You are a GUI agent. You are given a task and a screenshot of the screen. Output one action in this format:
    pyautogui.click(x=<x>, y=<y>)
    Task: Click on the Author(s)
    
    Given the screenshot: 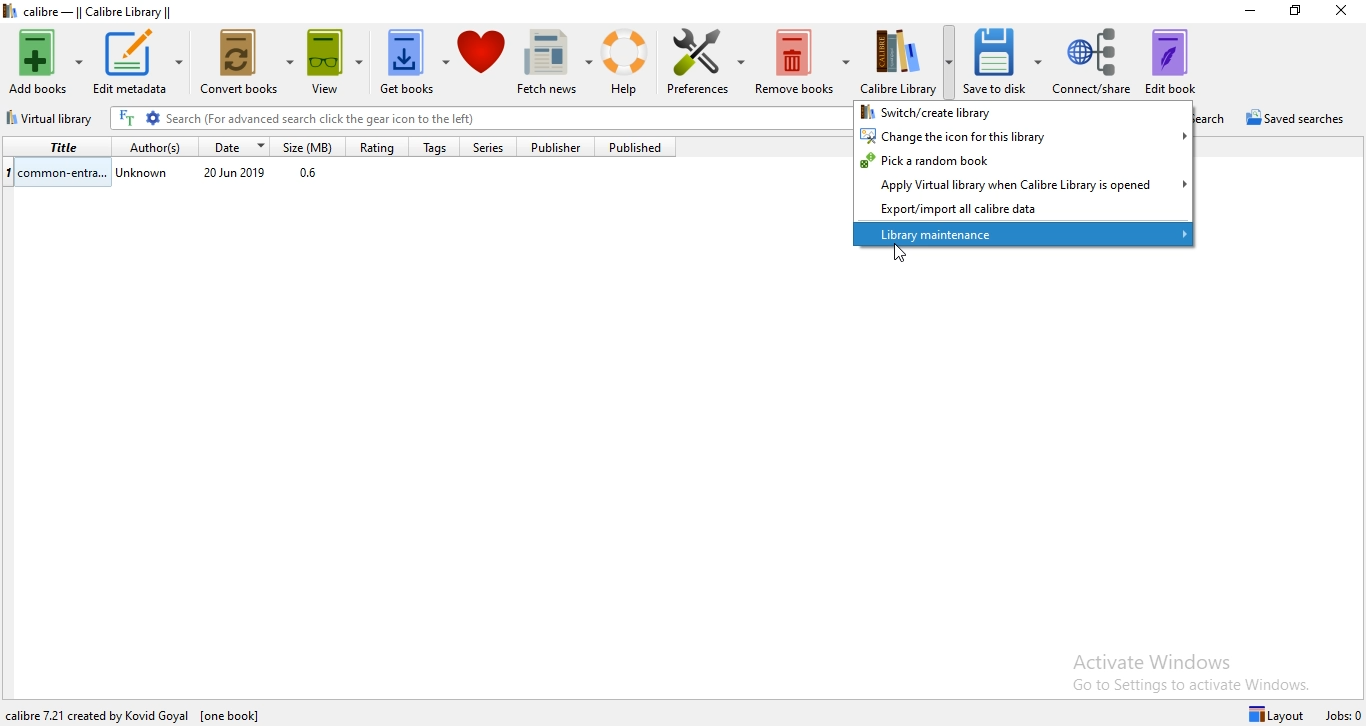 What is the action you would take?
    pyautogui.click(x=150, y=146)
    